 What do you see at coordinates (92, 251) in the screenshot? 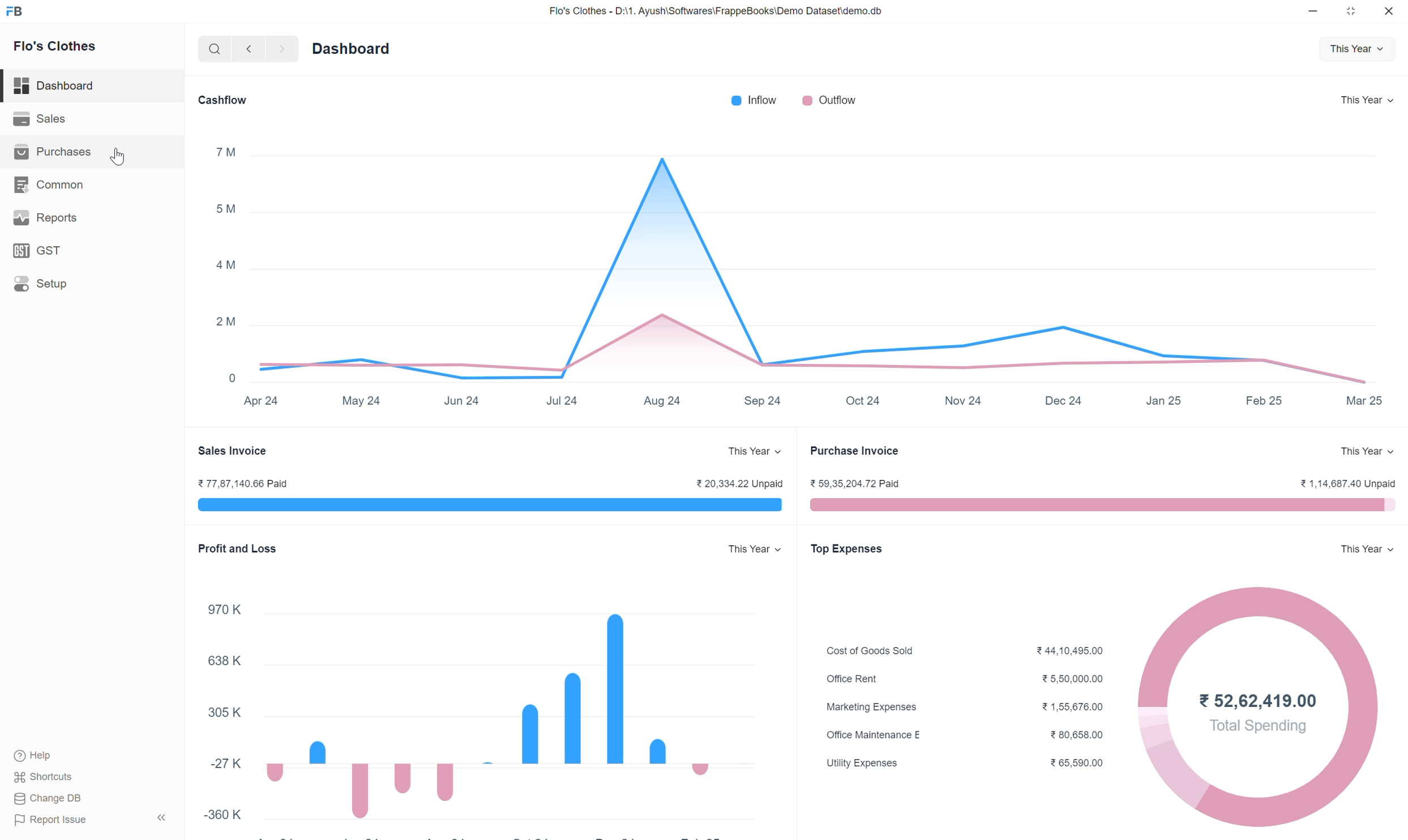
I see `GST` at bounding box center [92, 251].